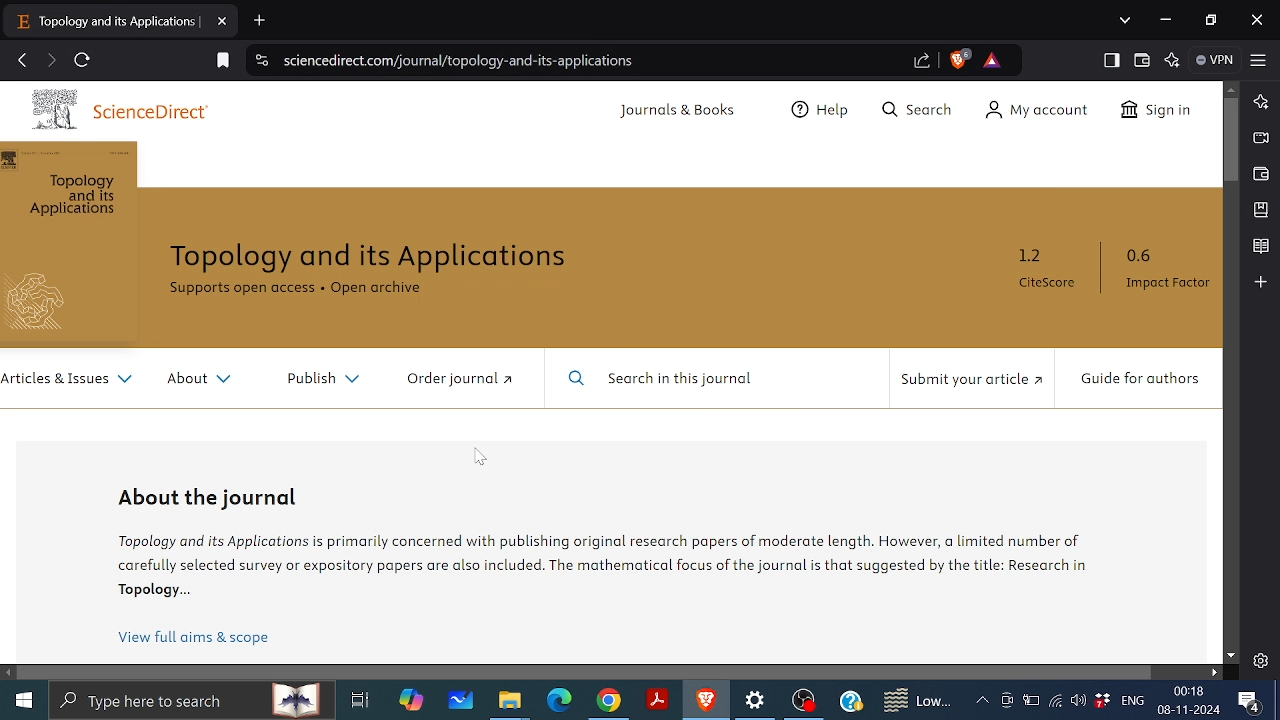 The image size is (1280, 720). Describe the element at coordinates (658, 699) in the screenshot. I see `Adobe reader` at that location.